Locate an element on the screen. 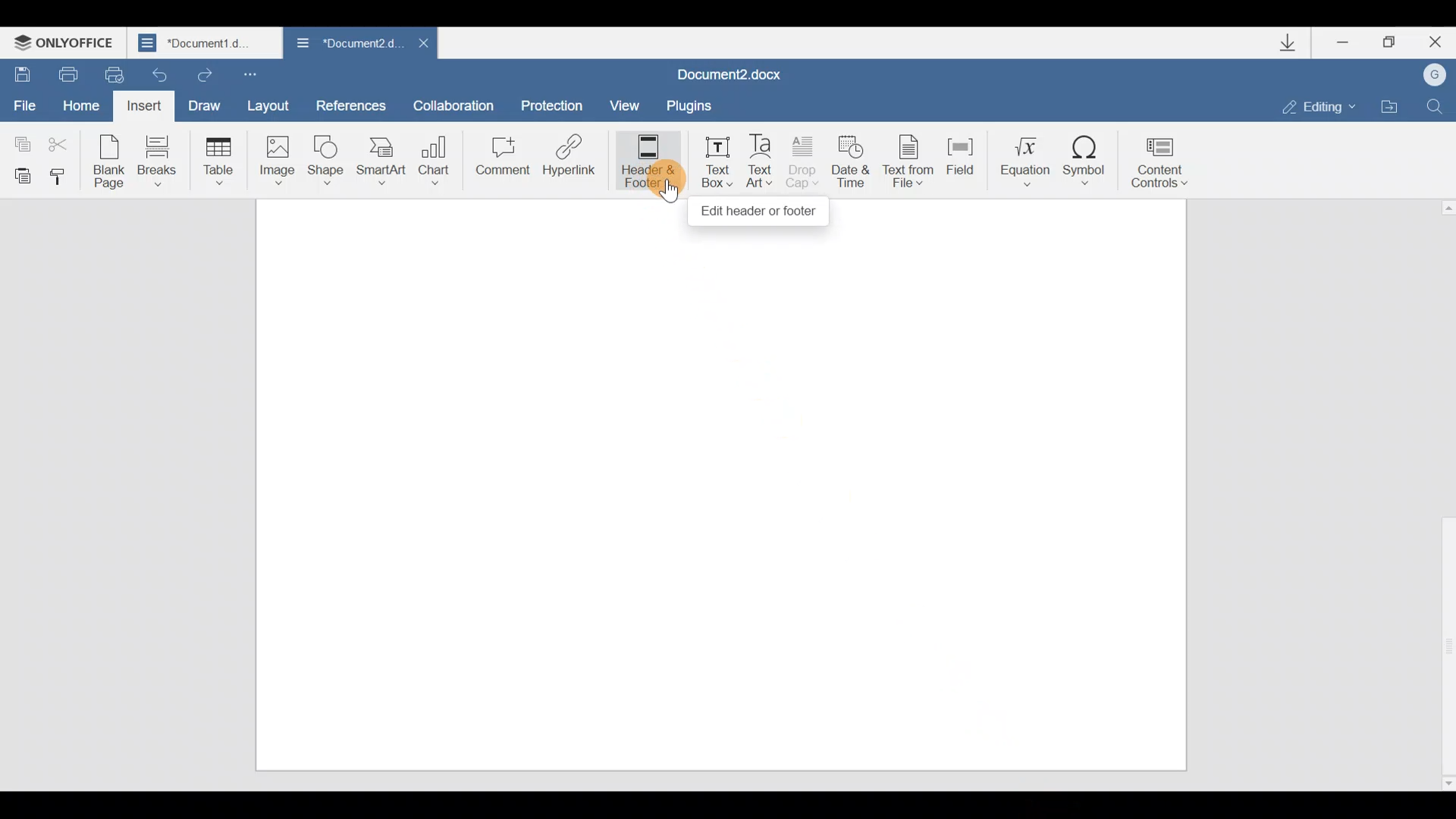 Image resolution: width=1456 pixels, height=819 pixels. Header & footer is located at coordinates (643, 160).